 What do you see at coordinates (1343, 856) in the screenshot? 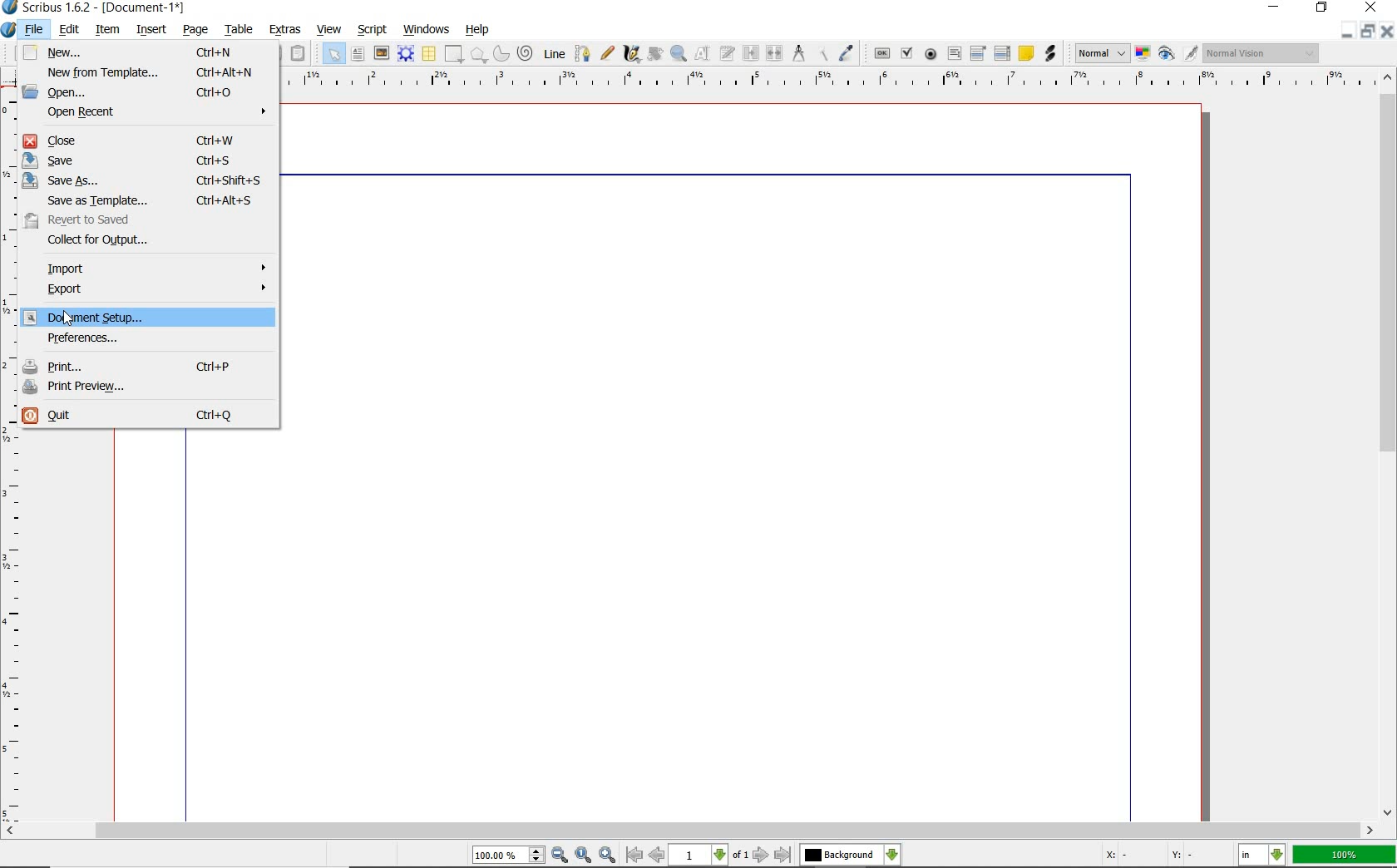
I see `zoom factor` at bounding box center [1343, 856].